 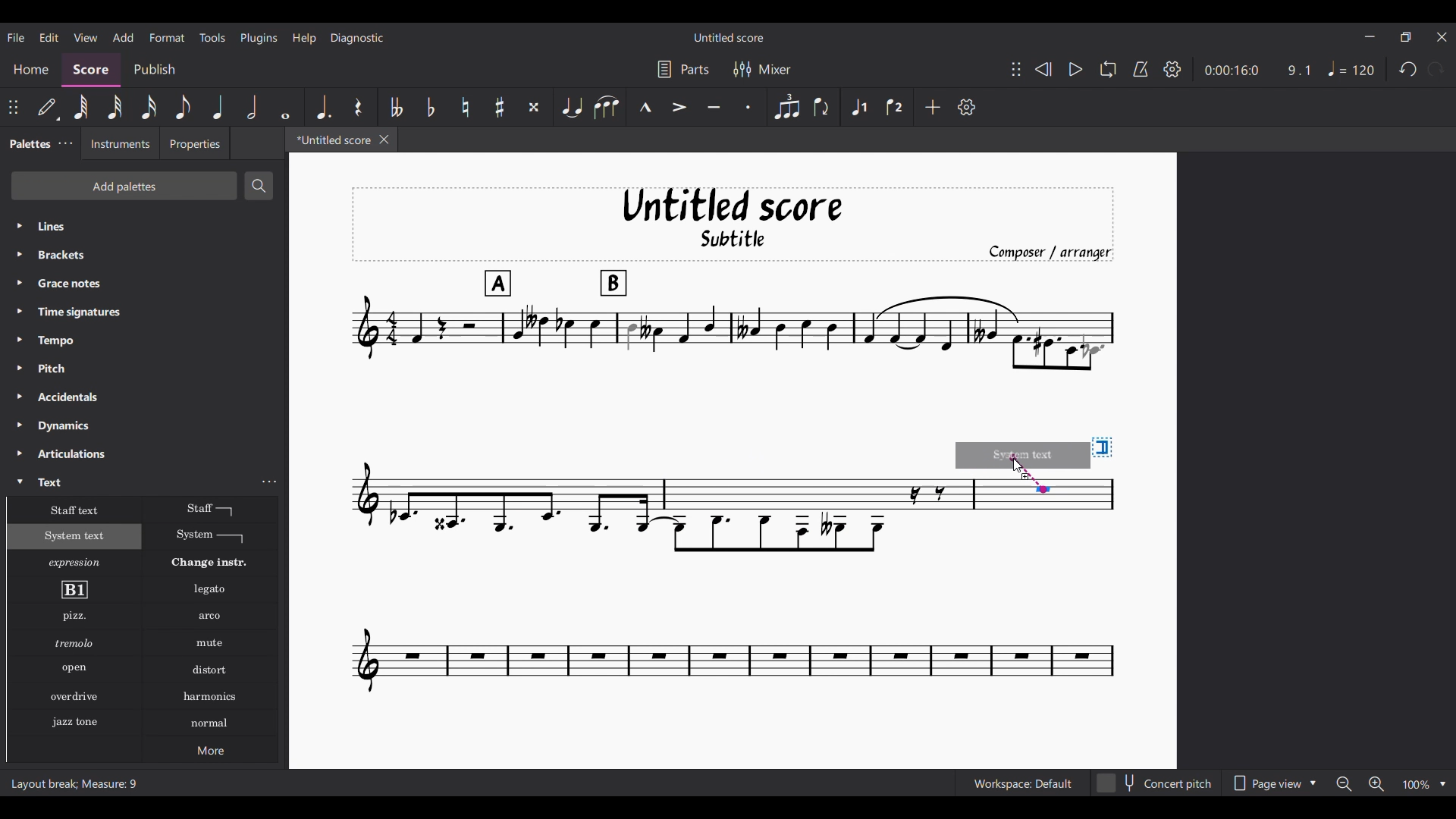 What do you see at coordinates (431, 107) in the screenshot?
I see `Toggle flat` at bounding box center [431, 107].